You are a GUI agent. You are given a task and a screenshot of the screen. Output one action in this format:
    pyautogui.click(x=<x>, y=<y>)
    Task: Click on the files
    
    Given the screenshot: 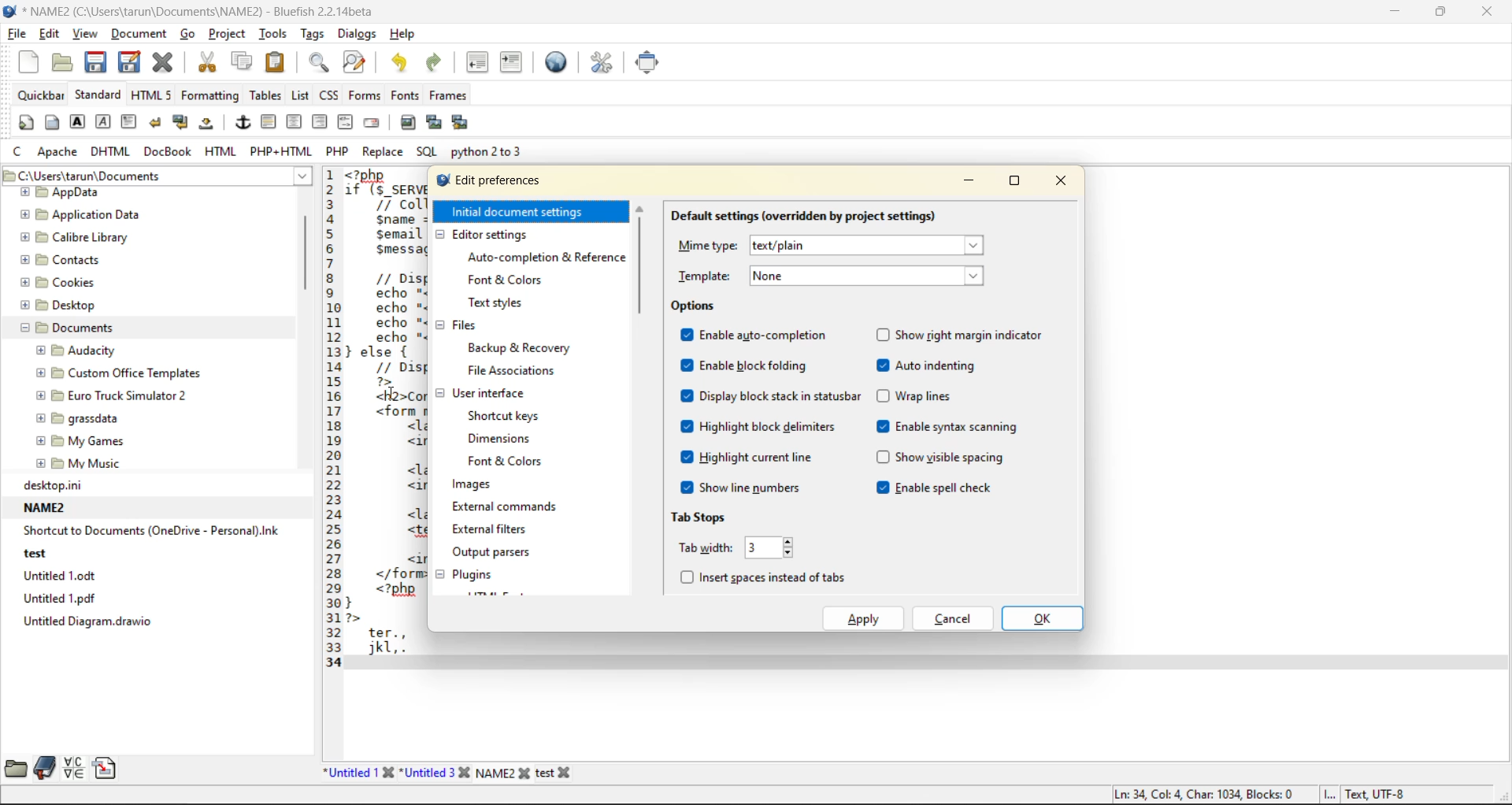 What is the action you would take?
    pyautogui.click(x=469, y=325)
    